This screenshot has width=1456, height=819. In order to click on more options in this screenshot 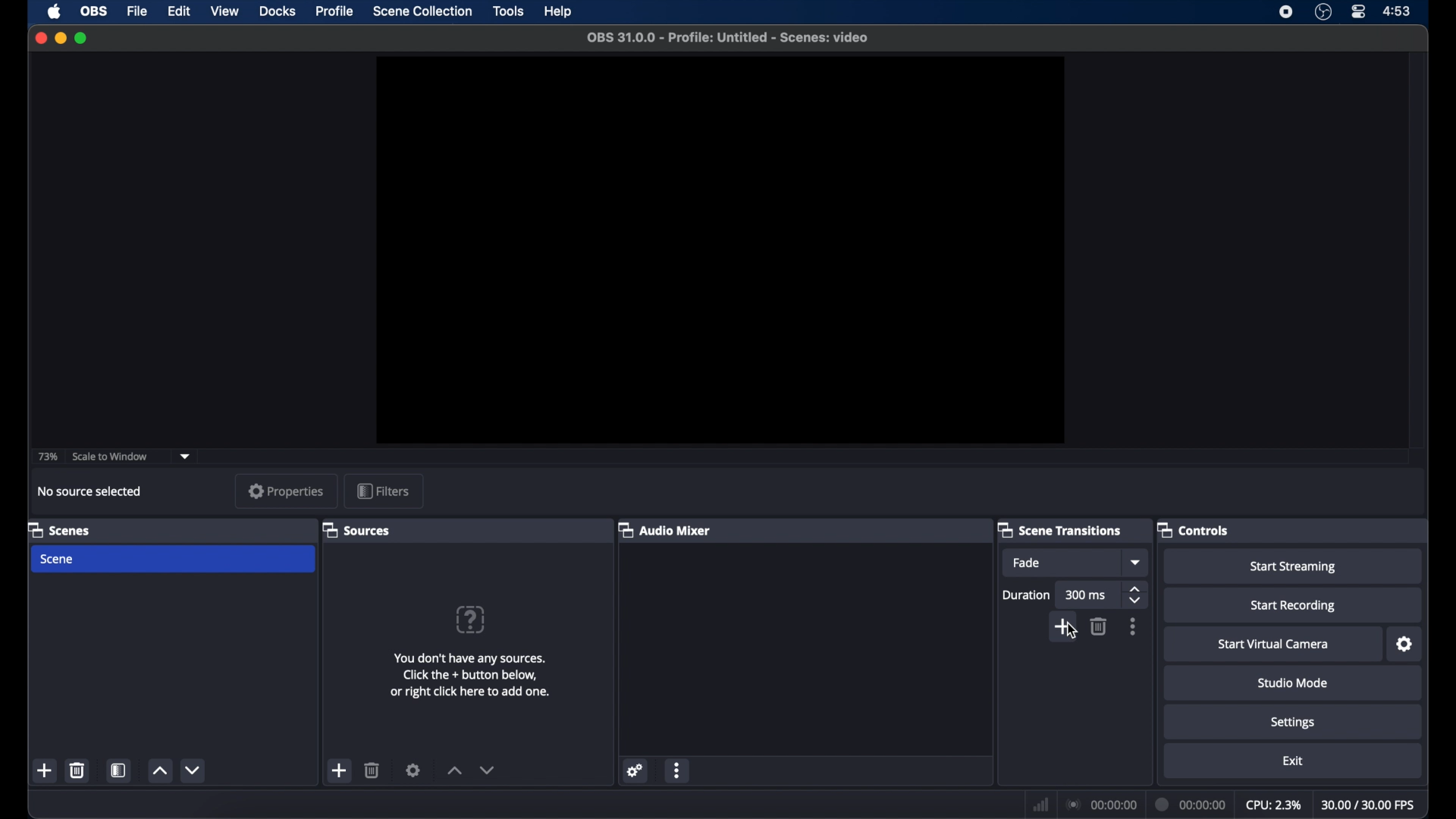, I will do `click(1134, 626)`.